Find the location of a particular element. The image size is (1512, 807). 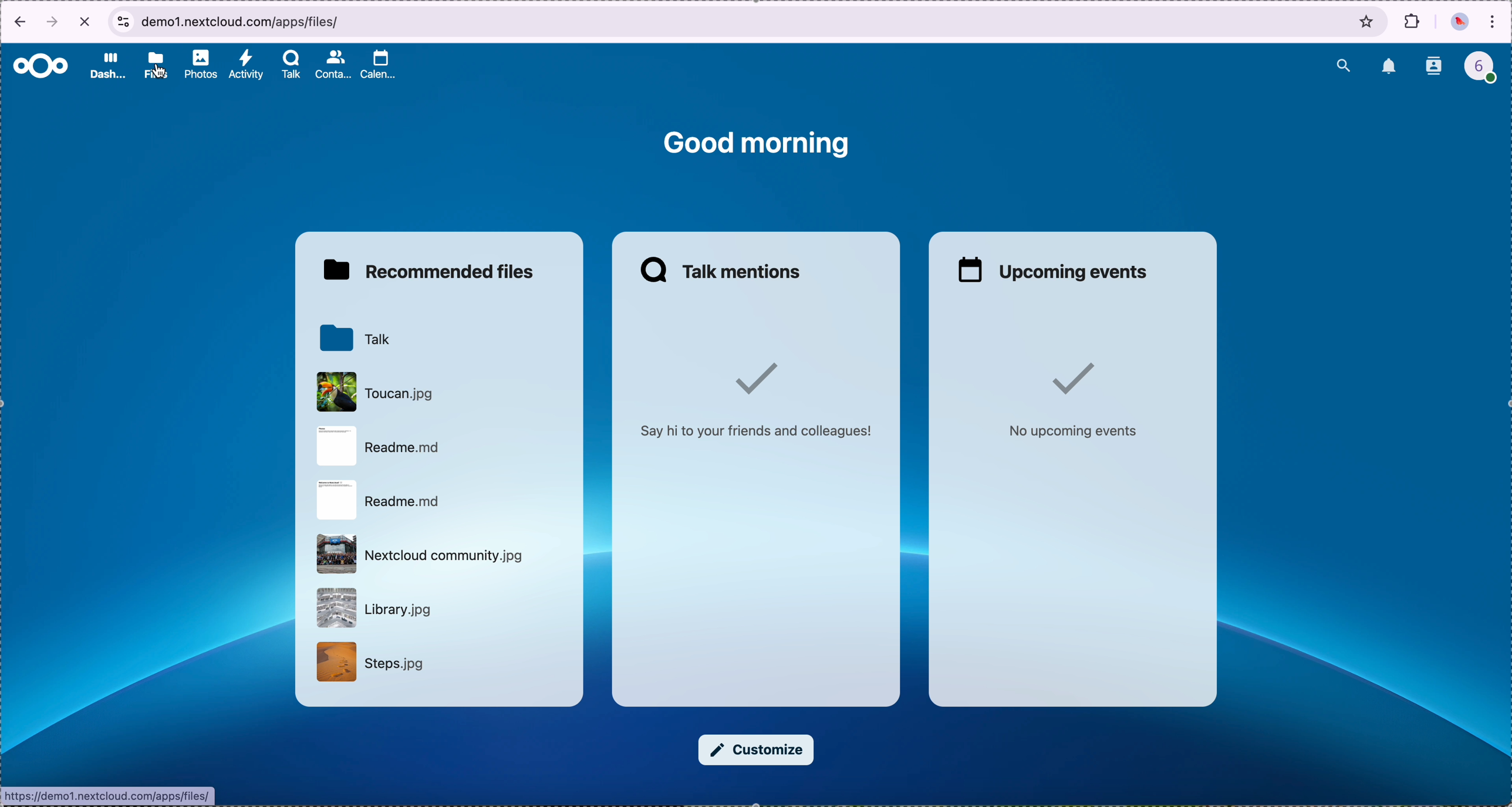

readme.md is located at coordinates (376, 501).